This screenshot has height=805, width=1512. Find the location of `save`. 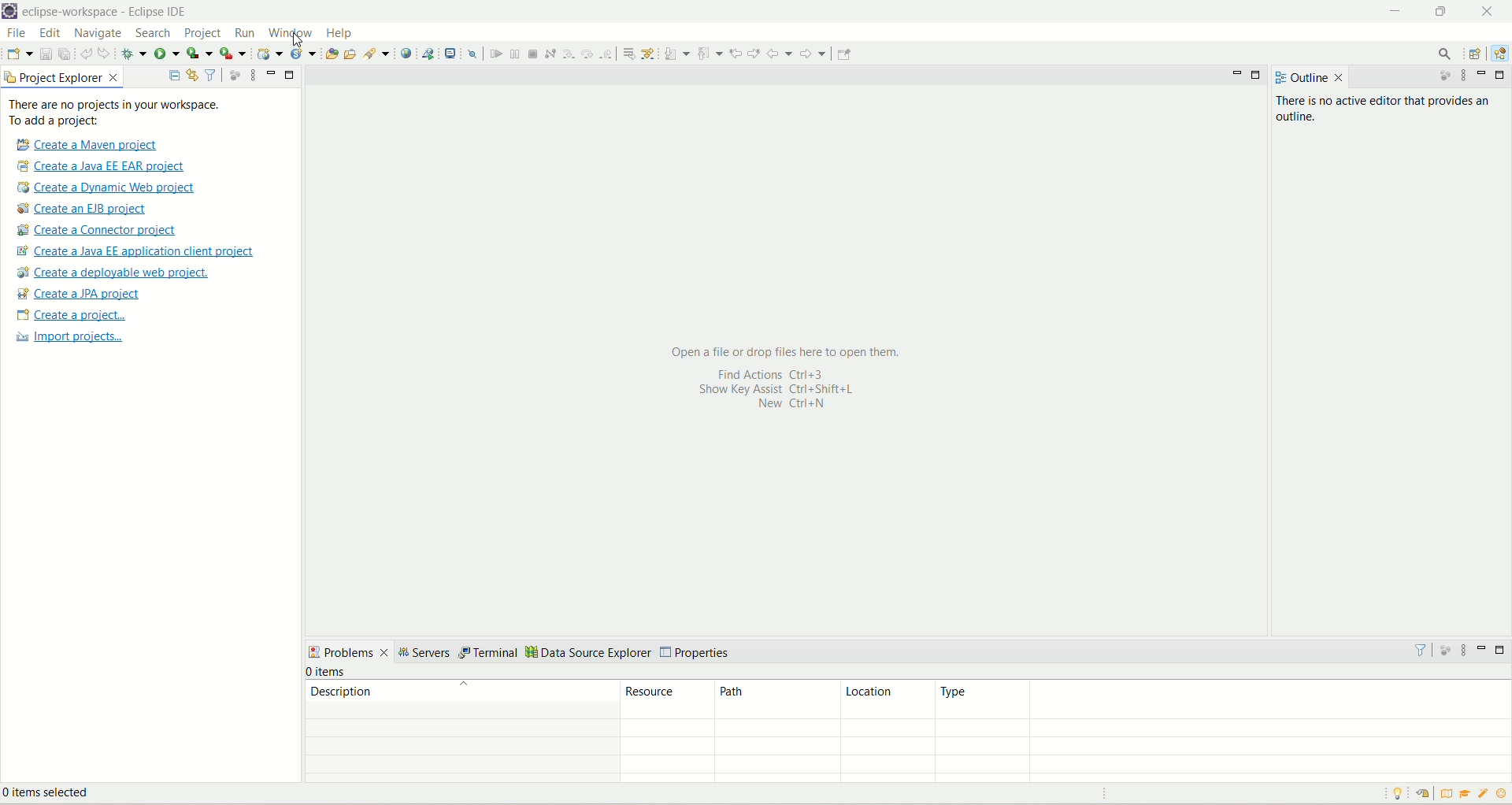

save is located at coordinates (46, 53).